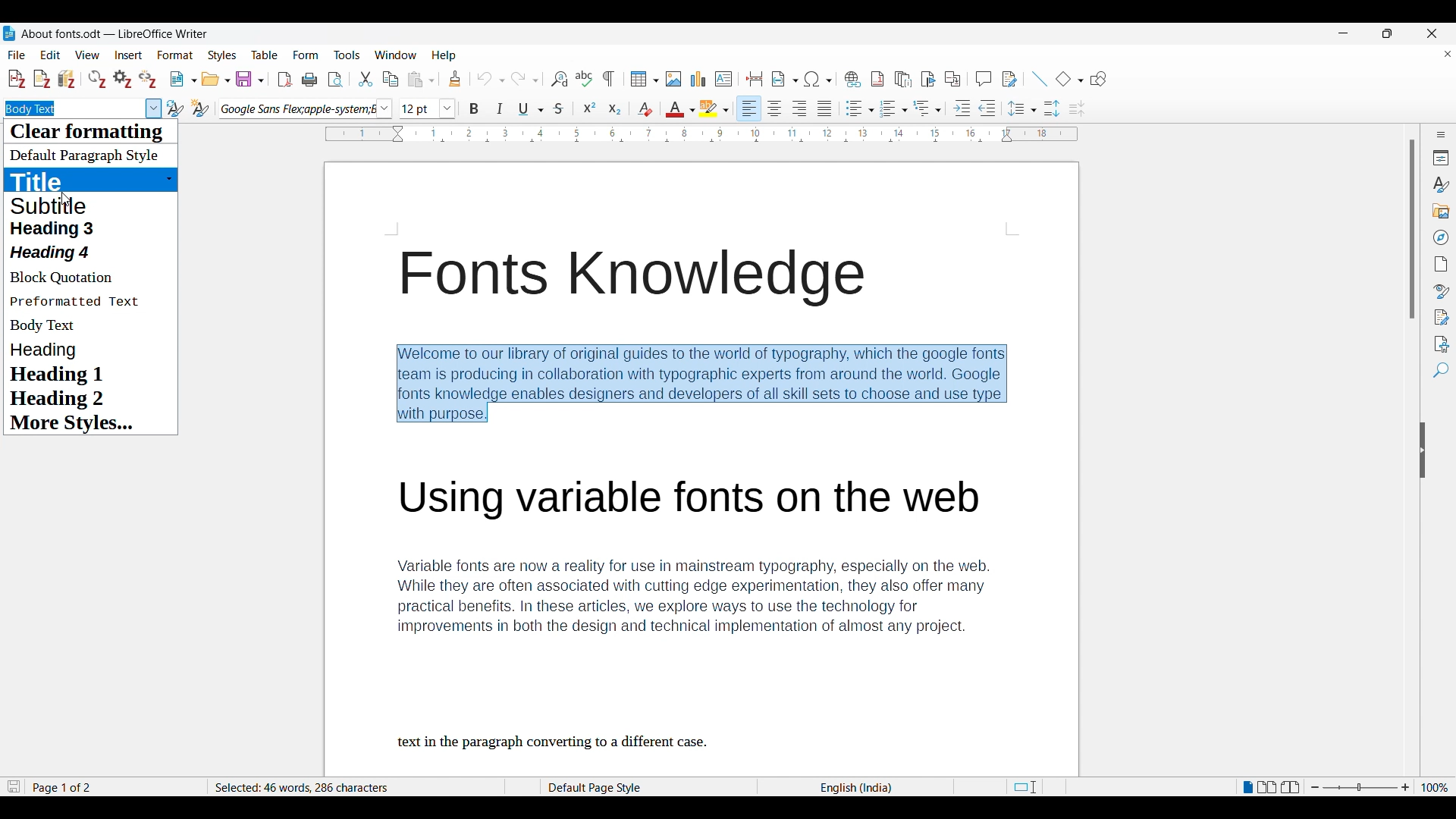 The width and height of the screenshot is (1456, 819). I want to click on File menu, so click(16, 55).